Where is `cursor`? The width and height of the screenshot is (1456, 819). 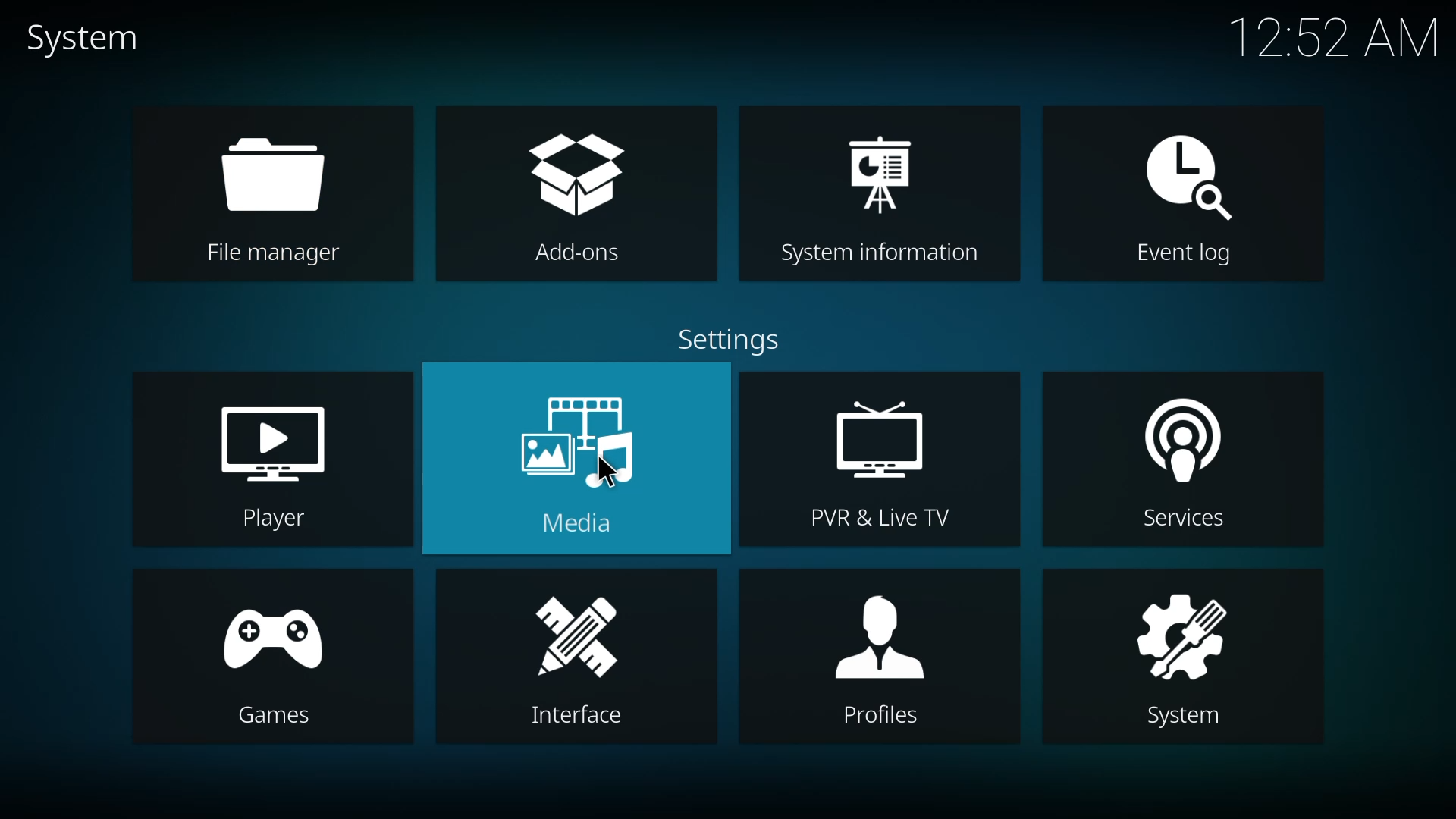
cursor is located at coordinates (607, 472).